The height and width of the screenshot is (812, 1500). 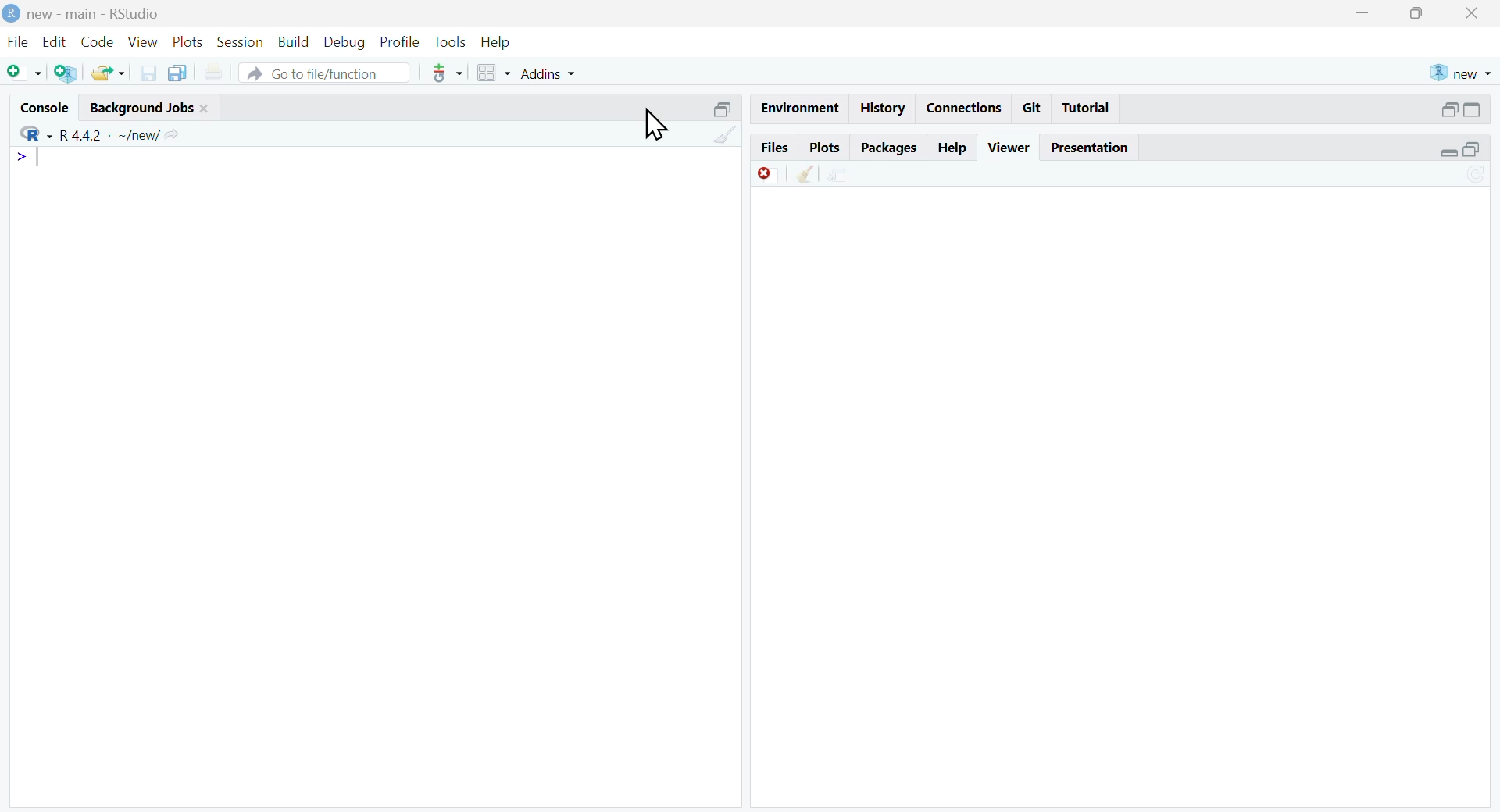 I want to click on edit, so click(x=55, y=41).